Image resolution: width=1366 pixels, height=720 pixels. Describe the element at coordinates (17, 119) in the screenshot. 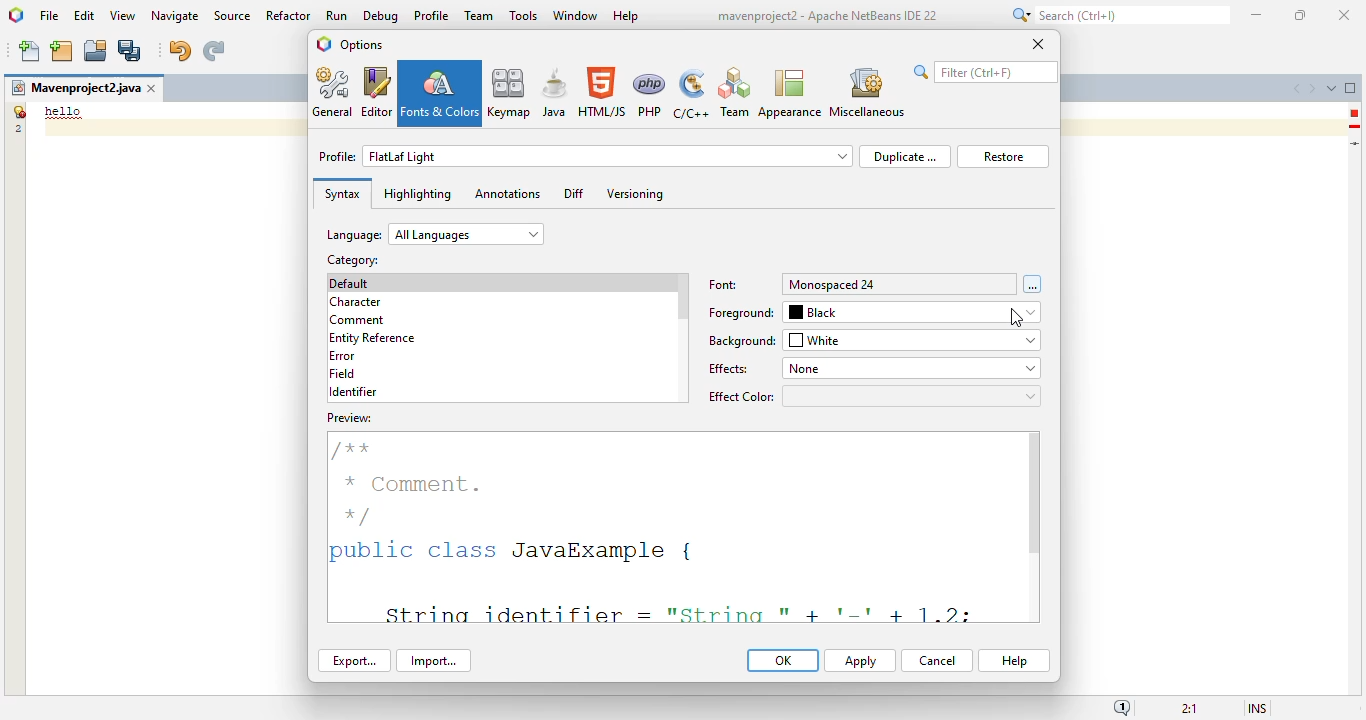

I see `line numbers` at that location.